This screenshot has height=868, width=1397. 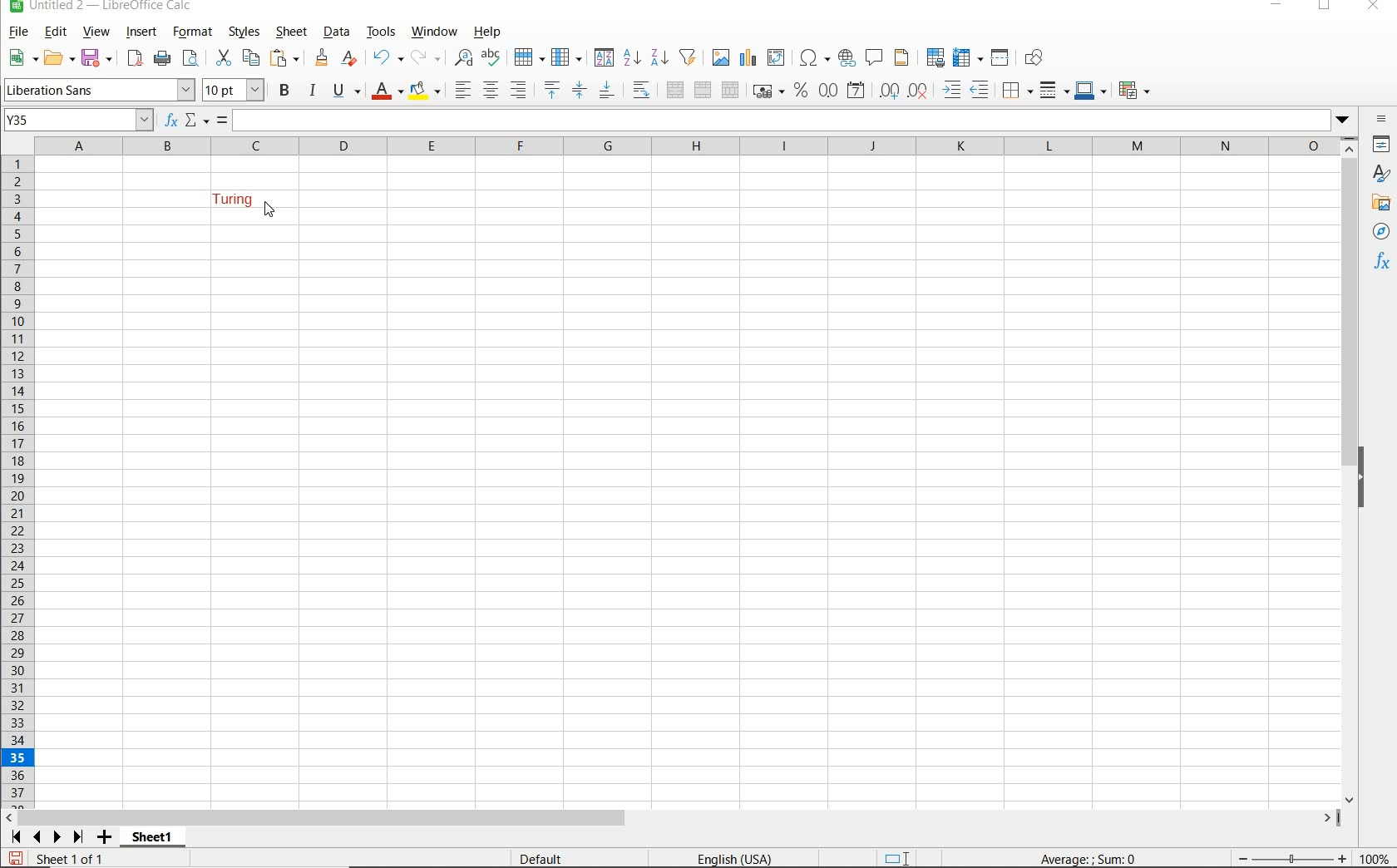 I want to click on ALIGN TOP, so click(x=550, y=91).